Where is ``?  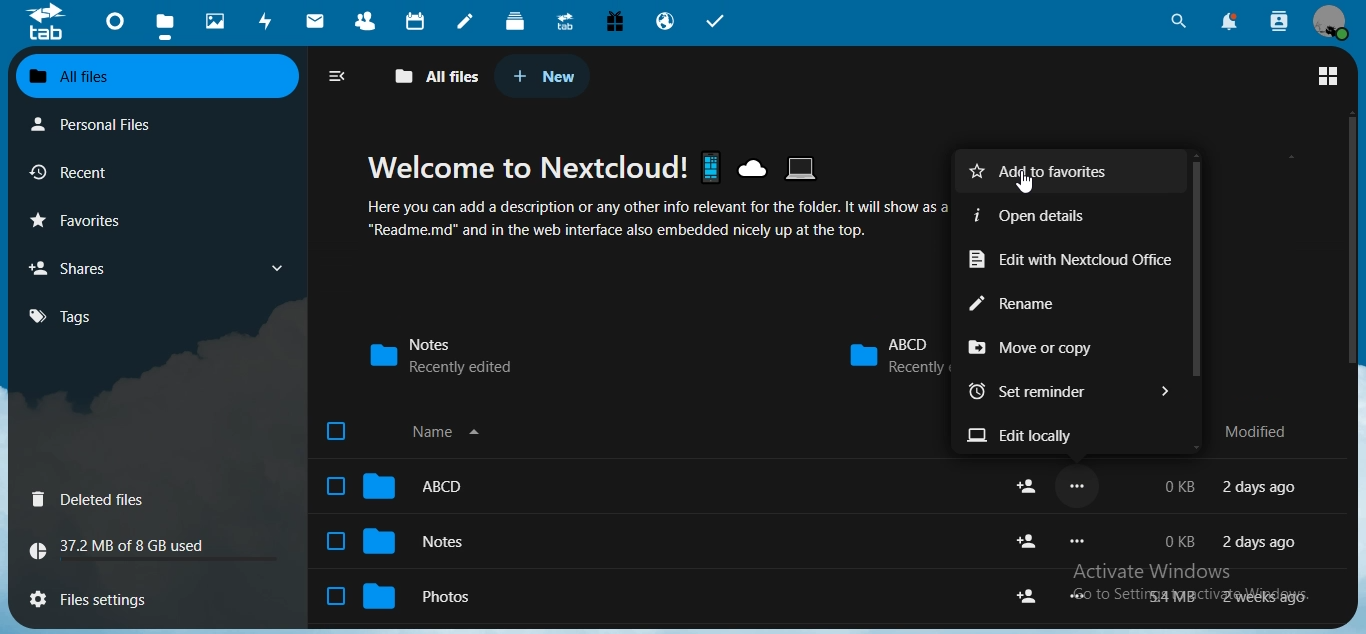  is located at coordinates (1166, 390).